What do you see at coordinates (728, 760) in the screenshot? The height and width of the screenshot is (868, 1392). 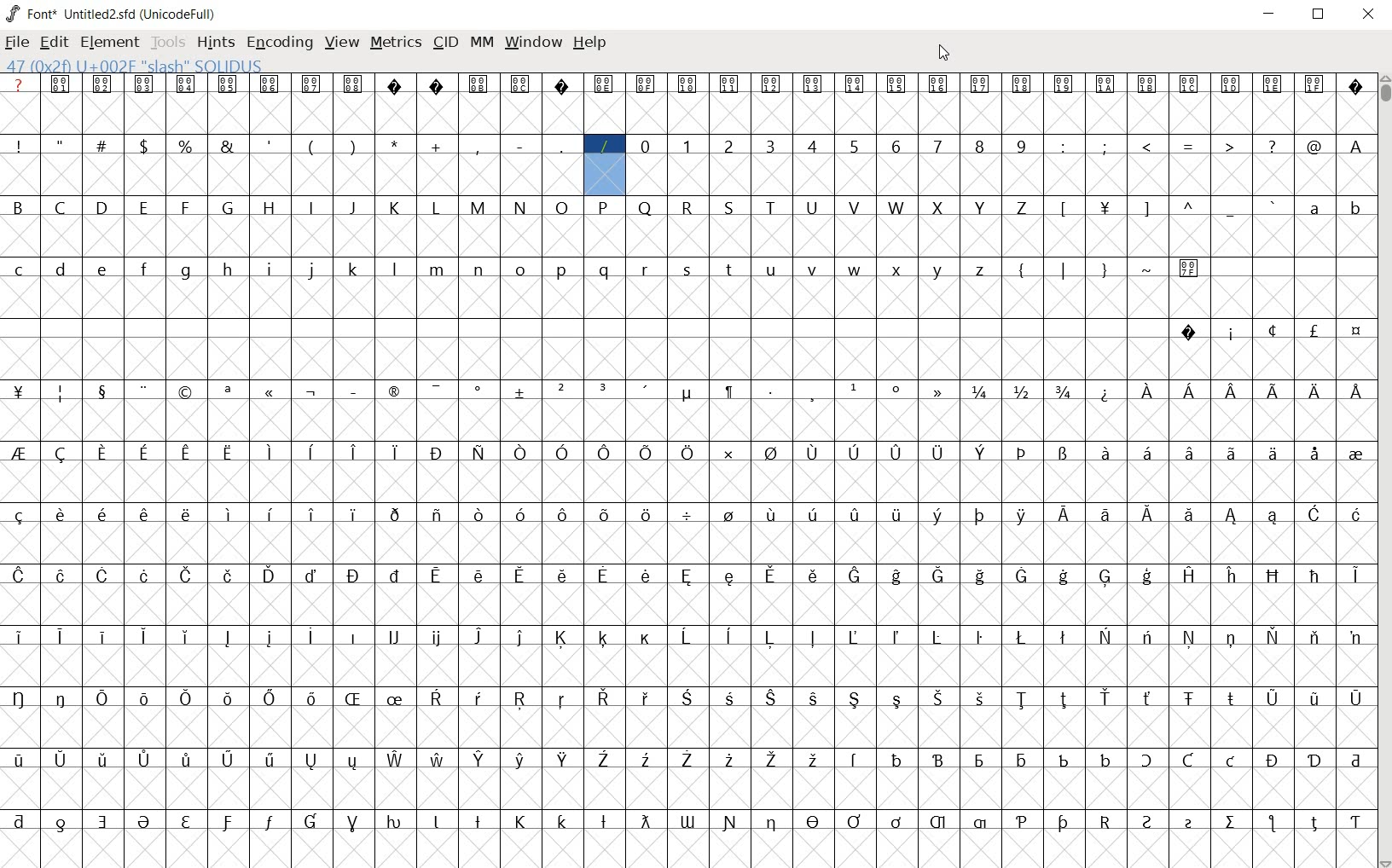 I see `glyph` at bounding box center [728, 760].